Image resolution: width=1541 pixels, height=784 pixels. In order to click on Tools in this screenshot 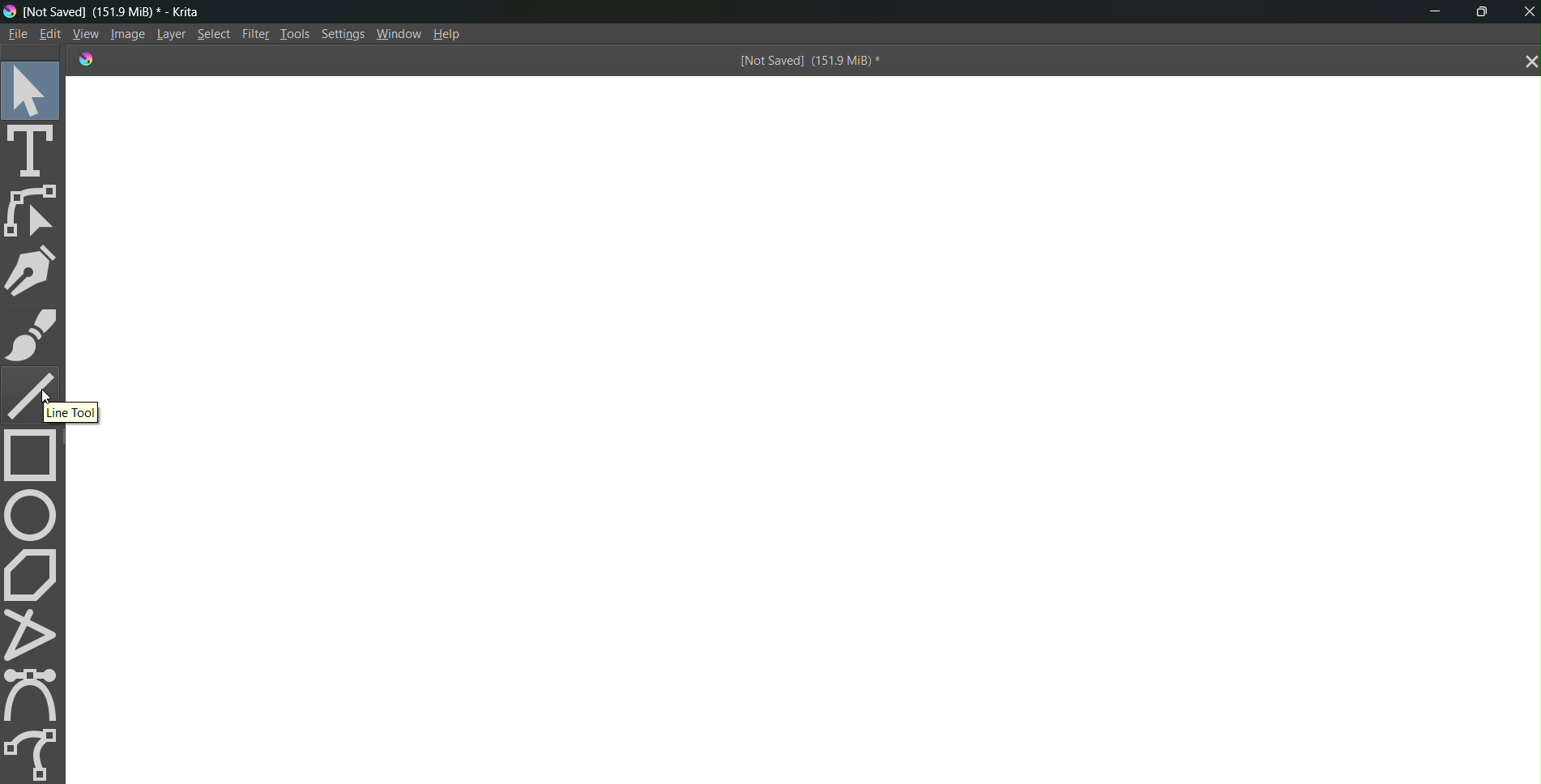, I will do `click(293, 32)`.